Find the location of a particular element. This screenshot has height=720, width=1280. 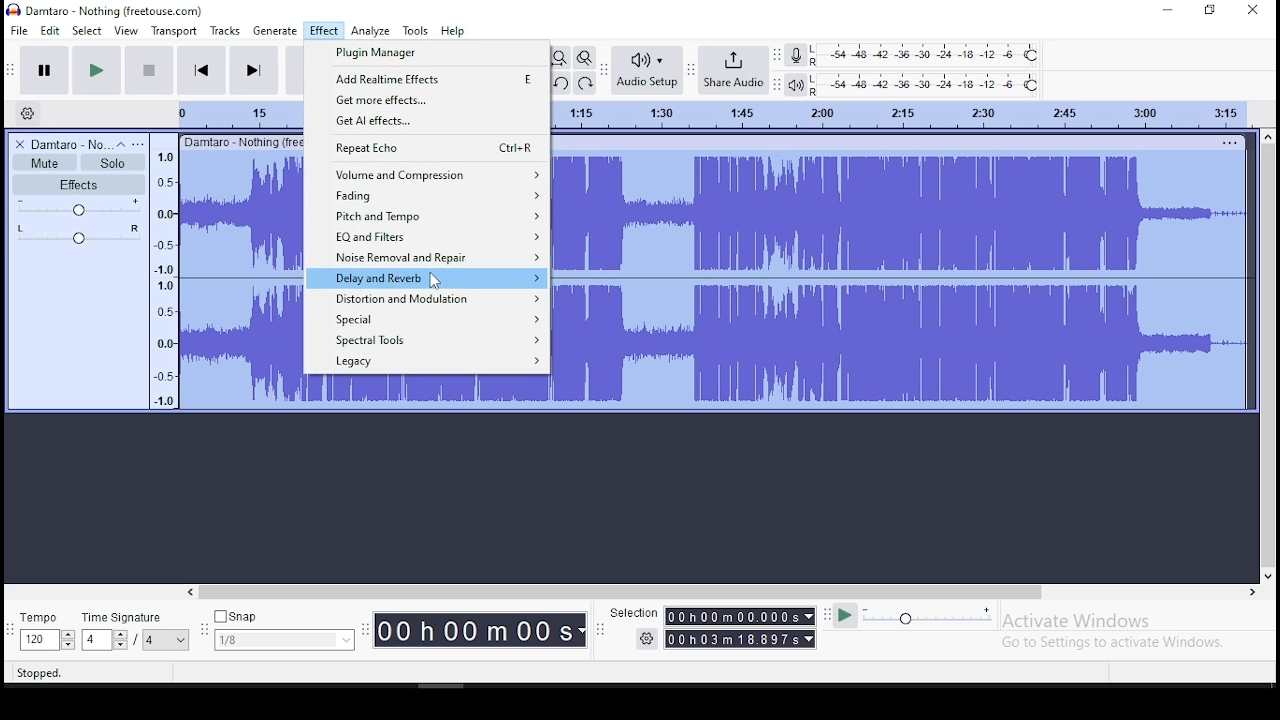

vertical scrollbar is located at coordinates (1269, 356).